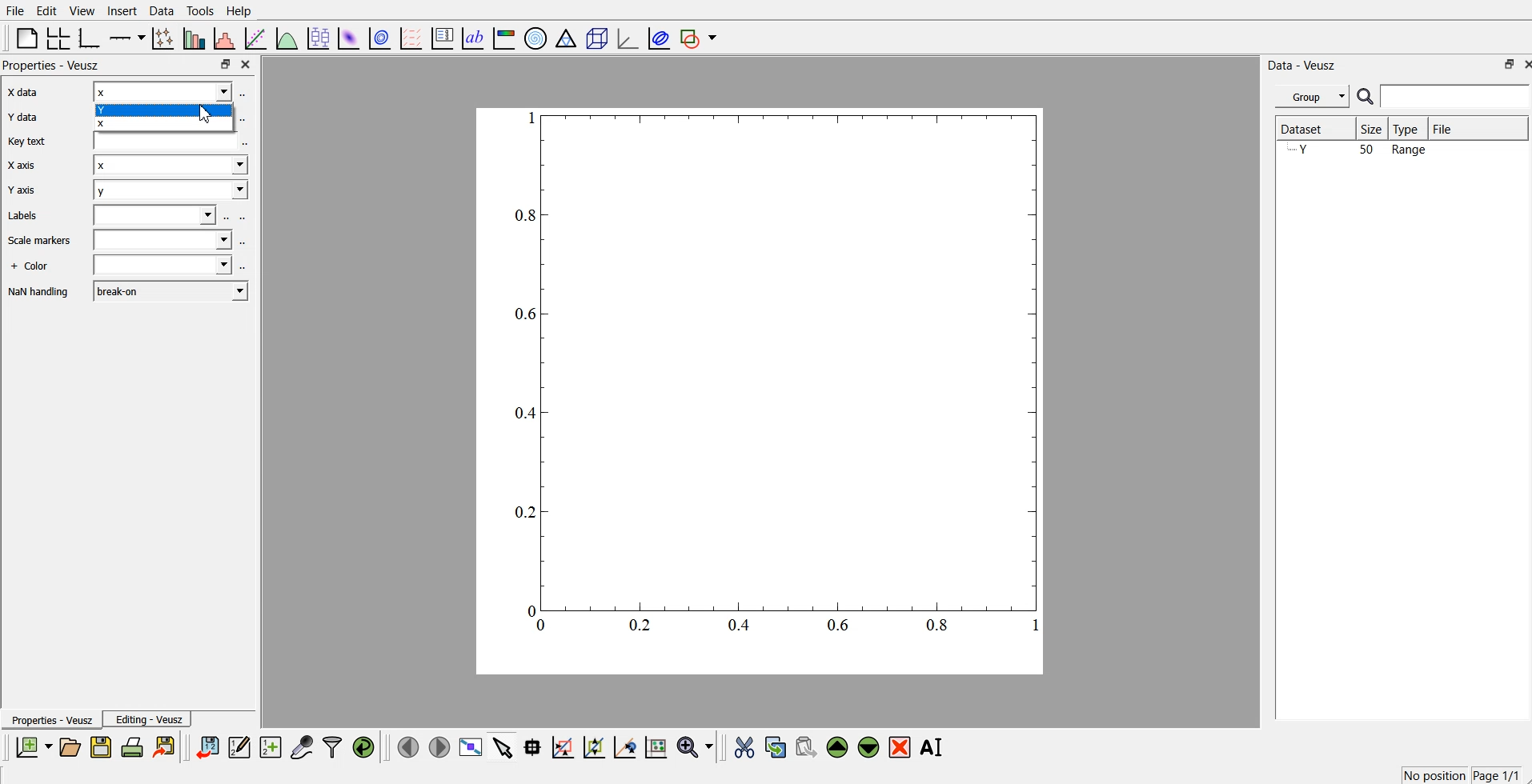 Image resolution: width=1532 pixels, height=784 pixels. What do you see at coordinates (350, 36) in the screenshot?
I see `plot 2d datasets as image` at bounding box center [350, 36].